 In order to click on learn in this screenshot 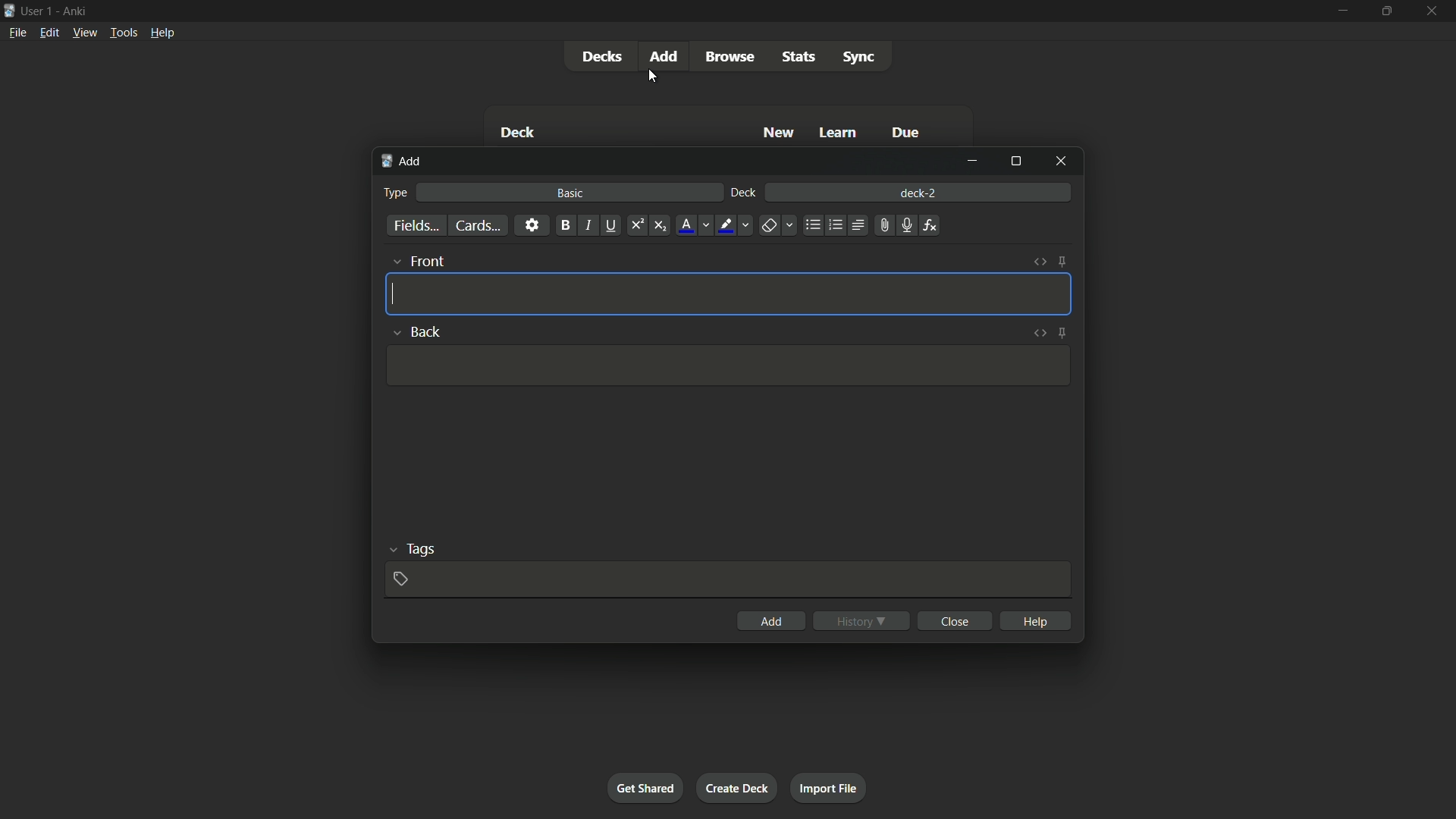, I will do `click(840, 133)`.